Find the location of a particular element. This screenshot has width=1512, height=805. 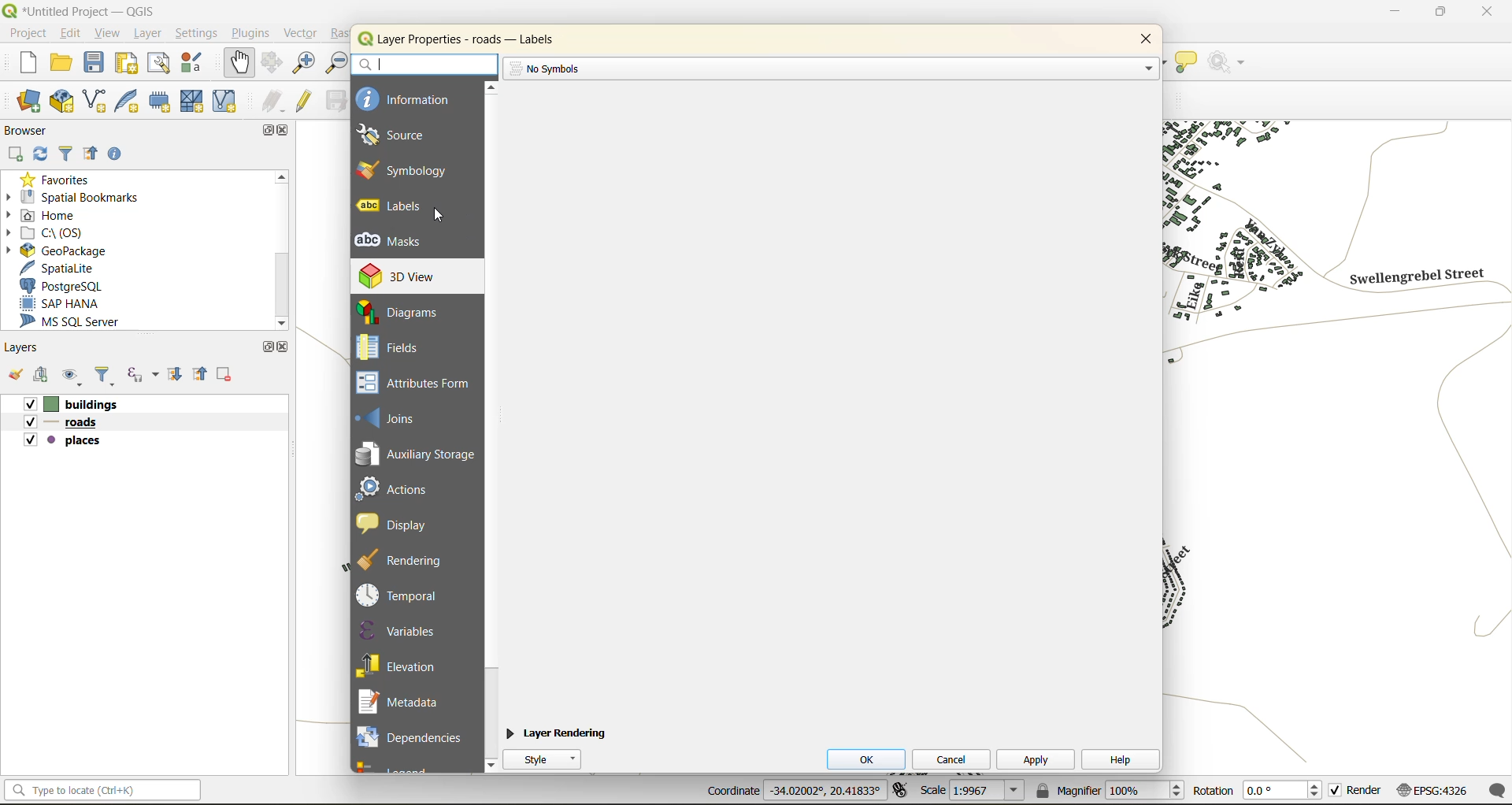

toggle edits is located at coordinates (307, 102).